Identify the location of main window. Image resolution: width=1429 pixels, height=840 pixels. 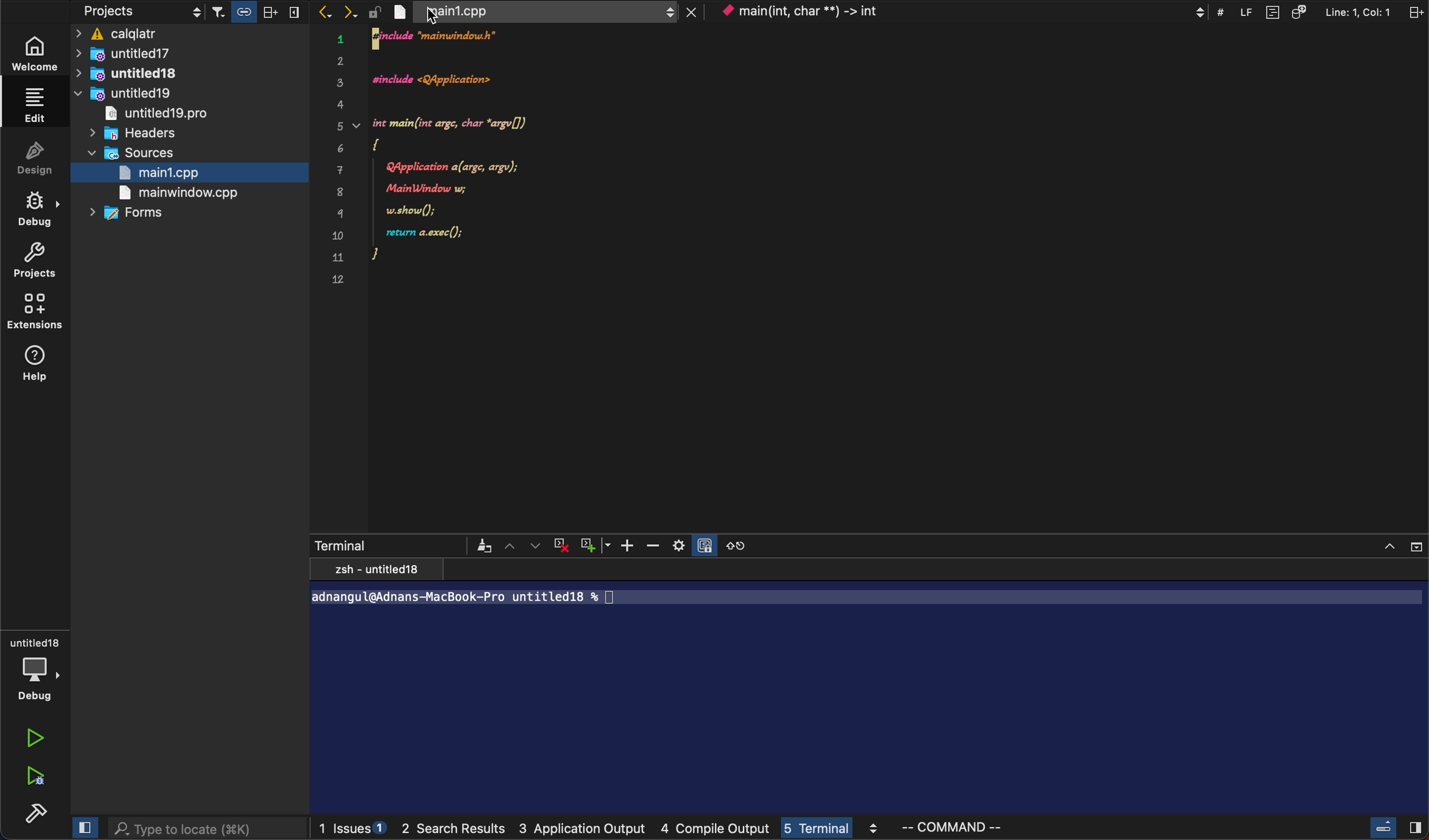
(181, 194).